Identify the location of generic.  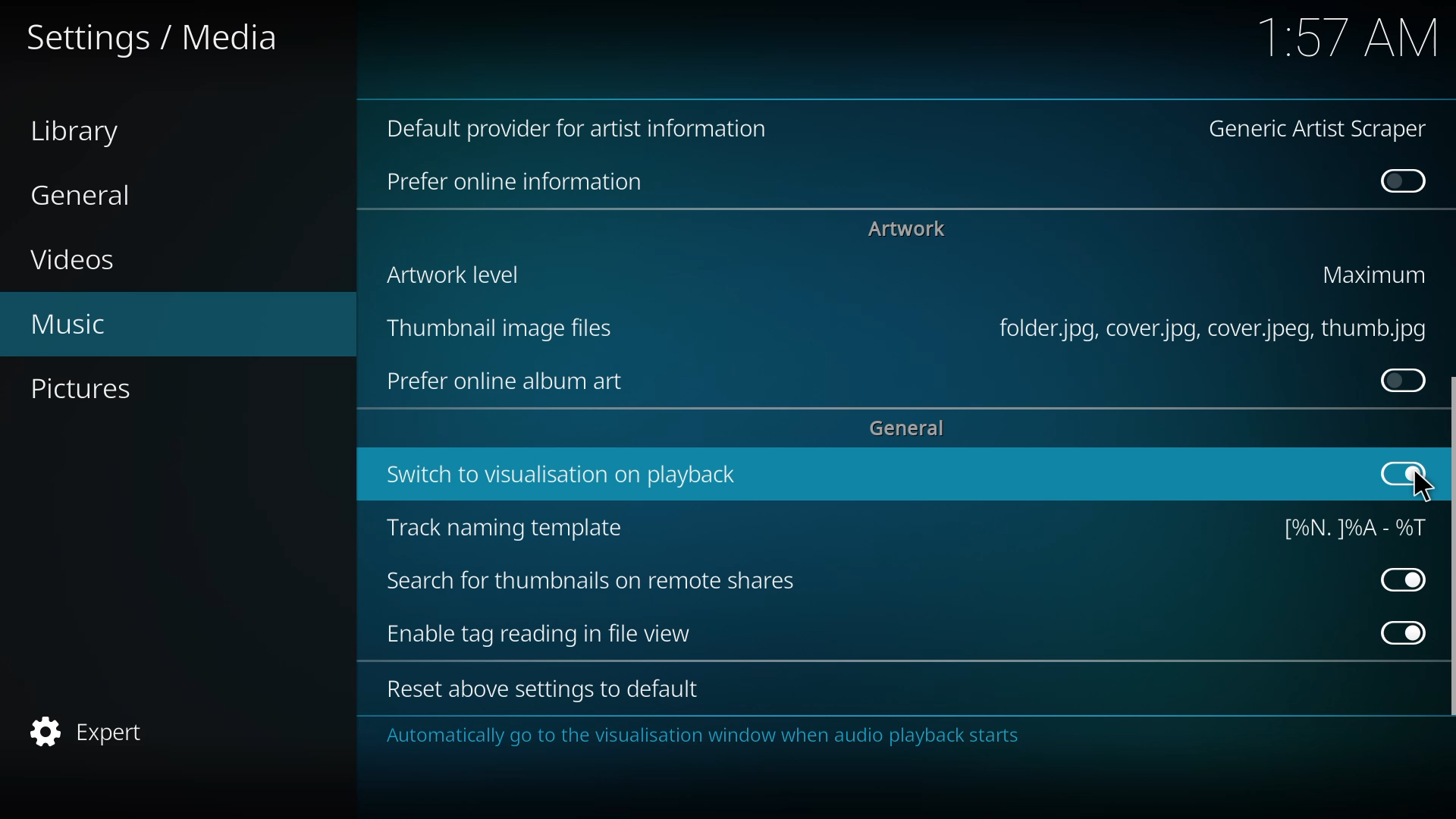
(1313, 132).